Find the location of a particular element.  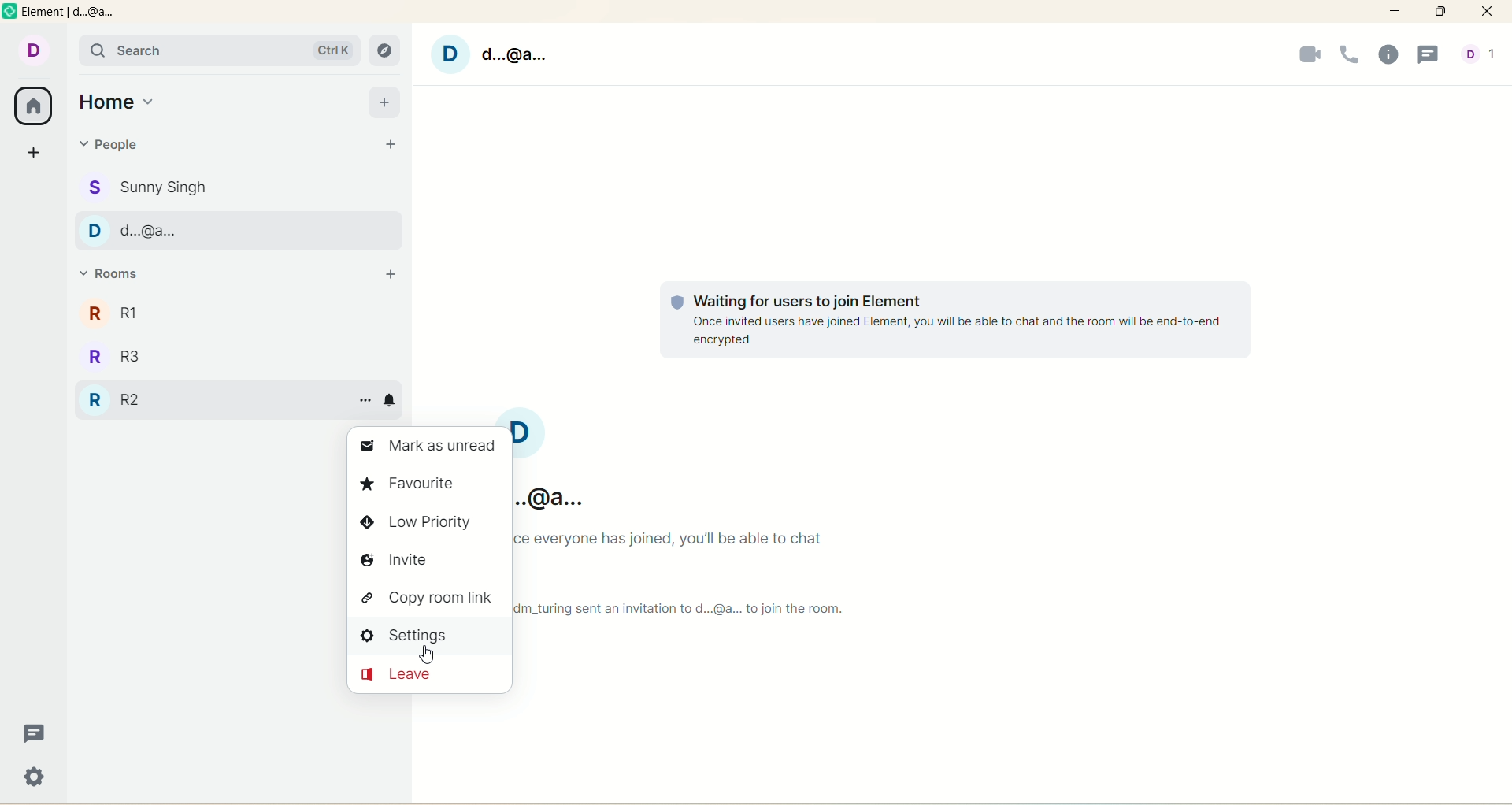

R2 is located at coordinates (206, 399).